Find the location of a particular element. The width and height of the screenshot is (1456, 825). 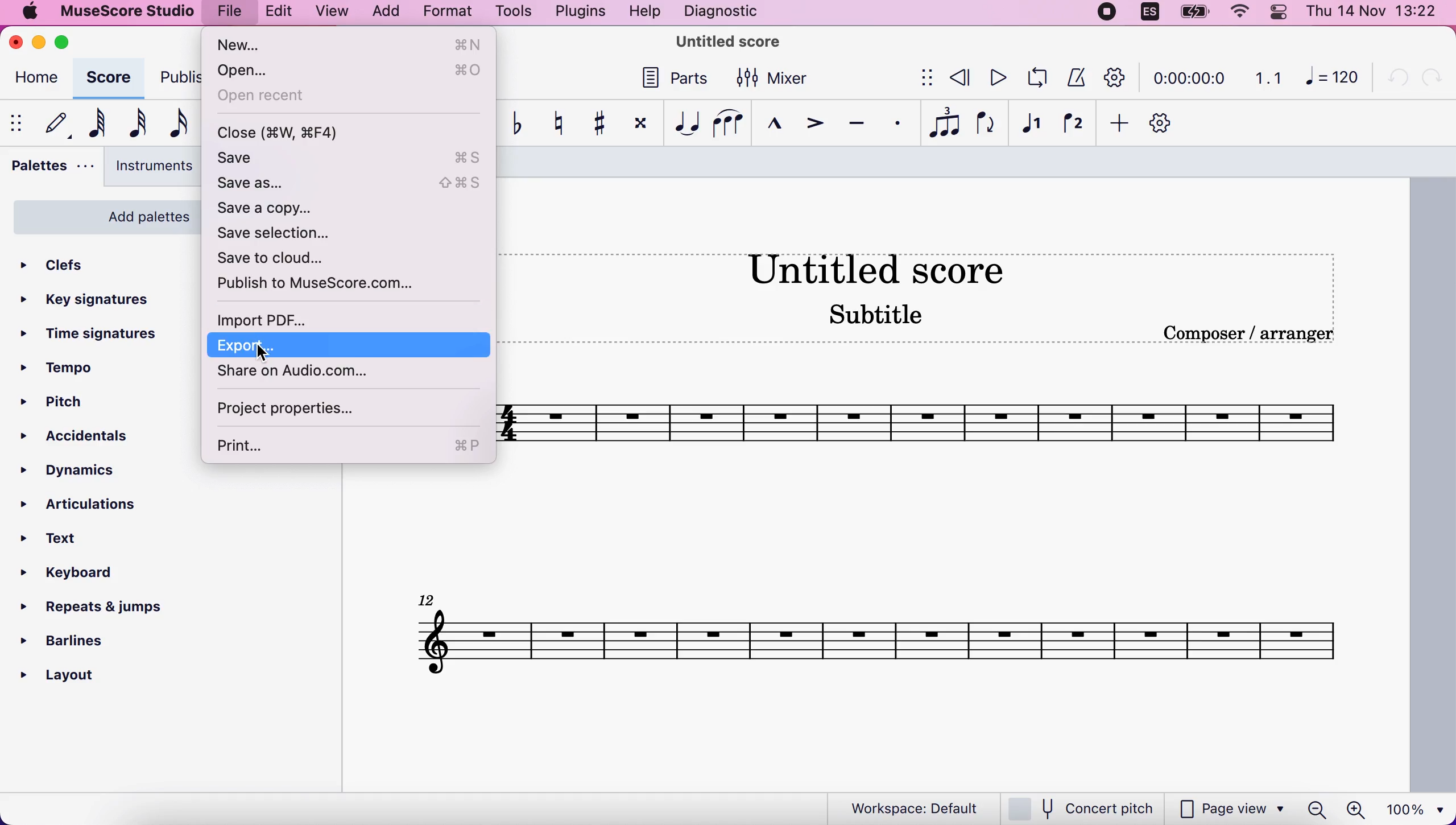

save to cloud is located at coordinates (290, 259).